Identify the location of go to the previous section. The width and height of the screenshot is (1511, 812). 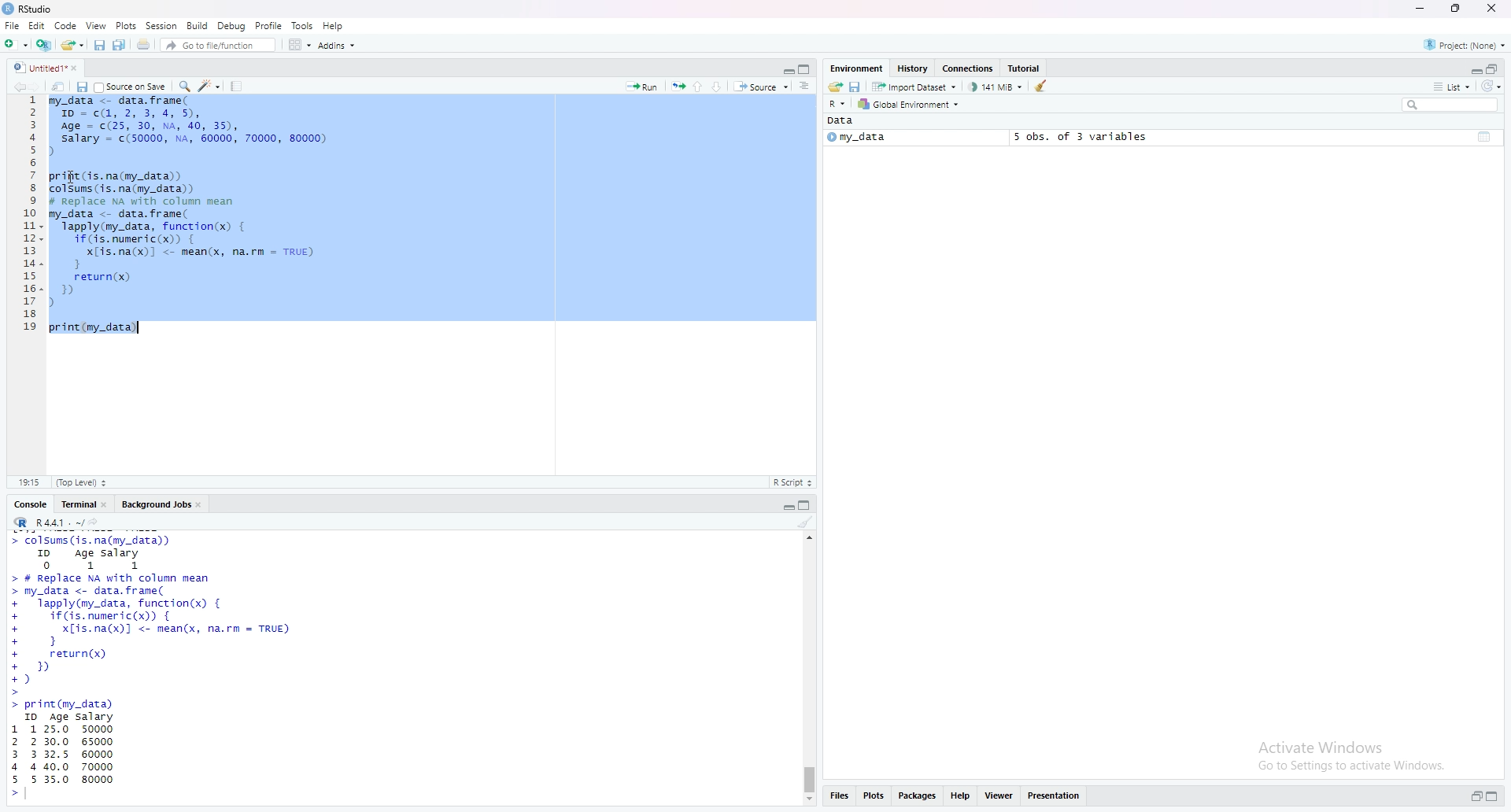
(701, 86).